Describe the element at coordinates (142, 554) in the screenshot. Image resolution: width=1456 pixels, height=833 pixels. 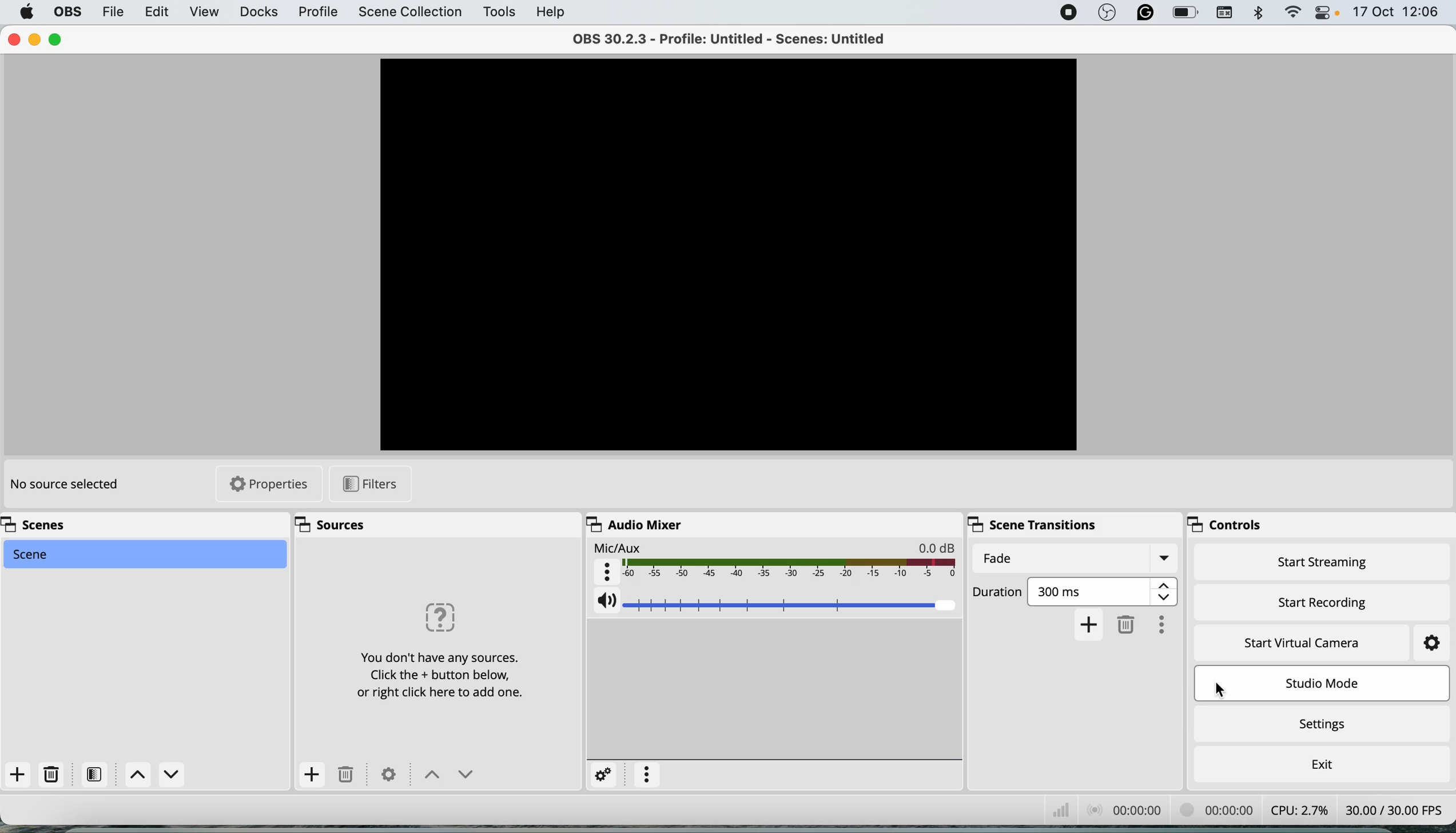
I see `scene` at that location.